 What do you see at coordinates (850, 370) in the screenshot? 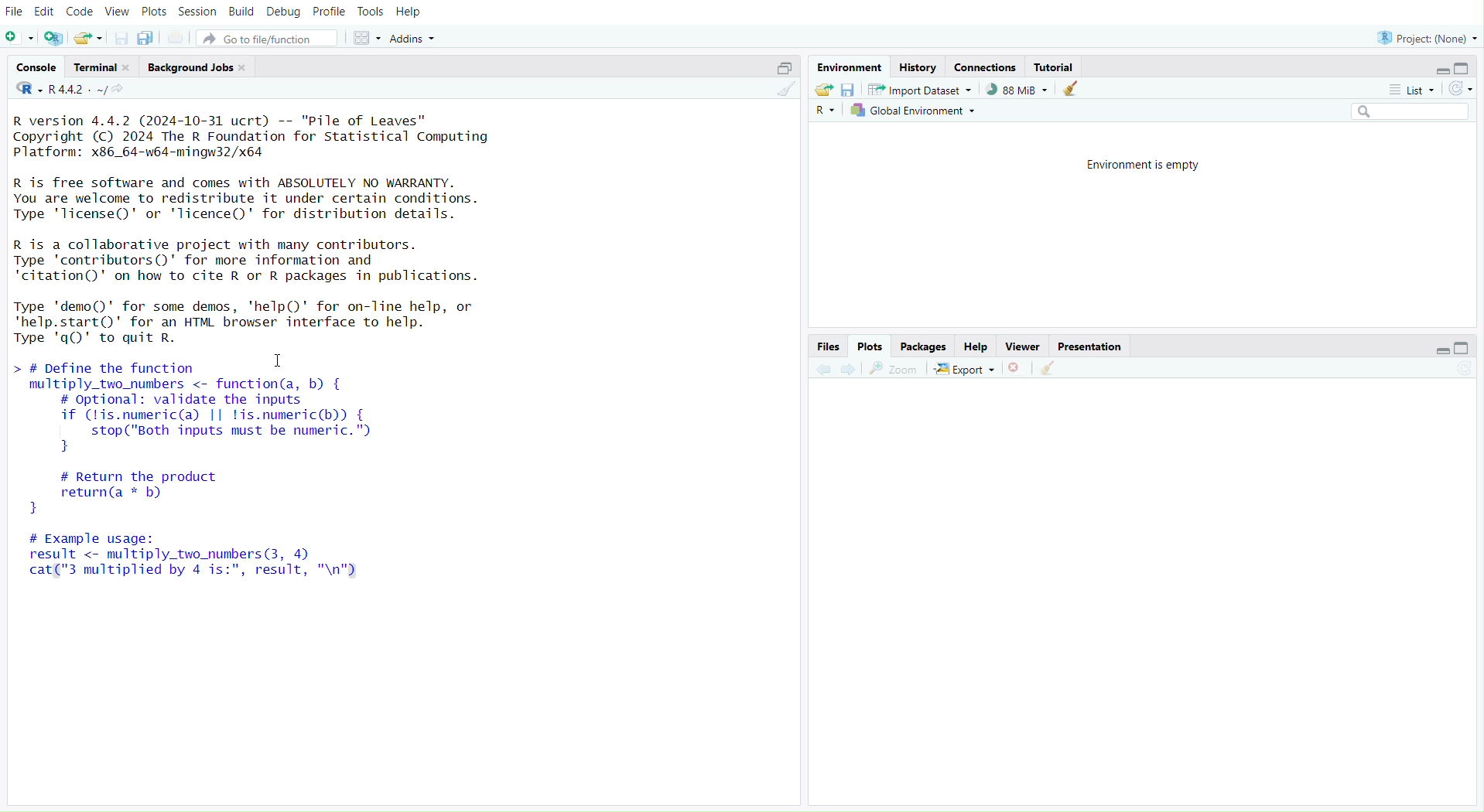
I see `Go forward to the next source location (Ctrl + F10)` at bounding box center [850, 370].